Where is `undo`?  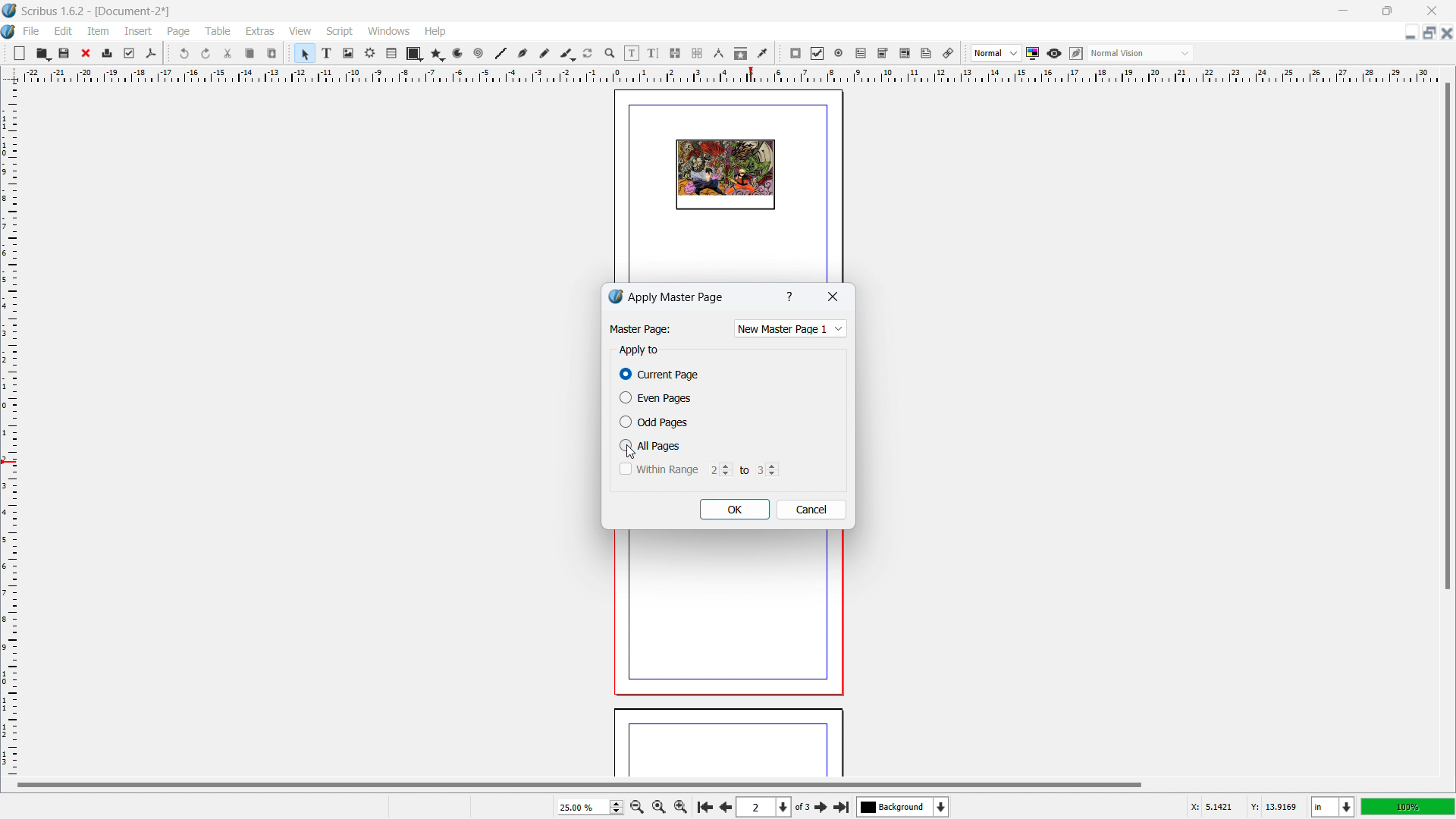 undo is located at coordinates (186, 53).